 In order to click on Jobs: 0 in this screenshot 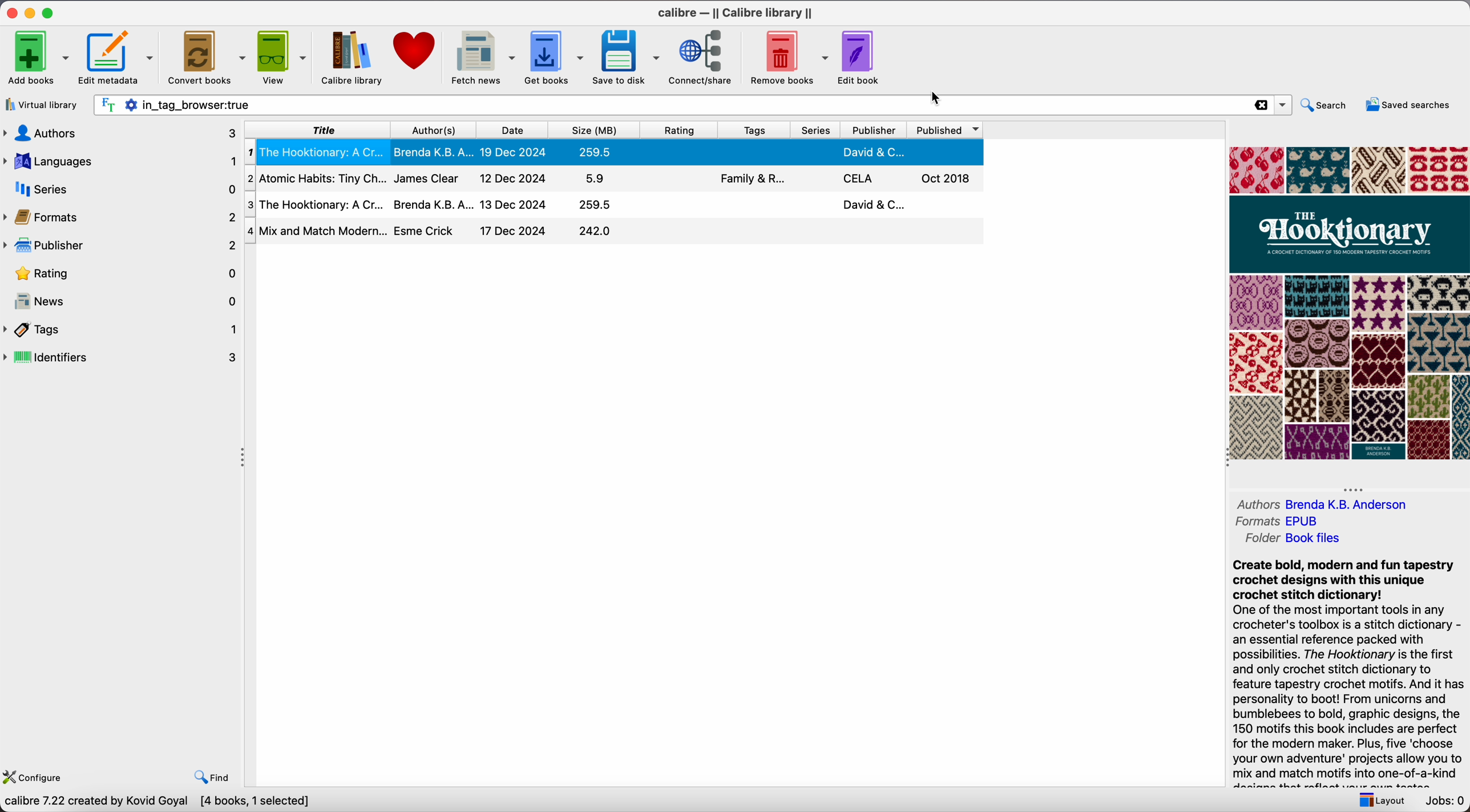, I will do `click(1441, 802)`.